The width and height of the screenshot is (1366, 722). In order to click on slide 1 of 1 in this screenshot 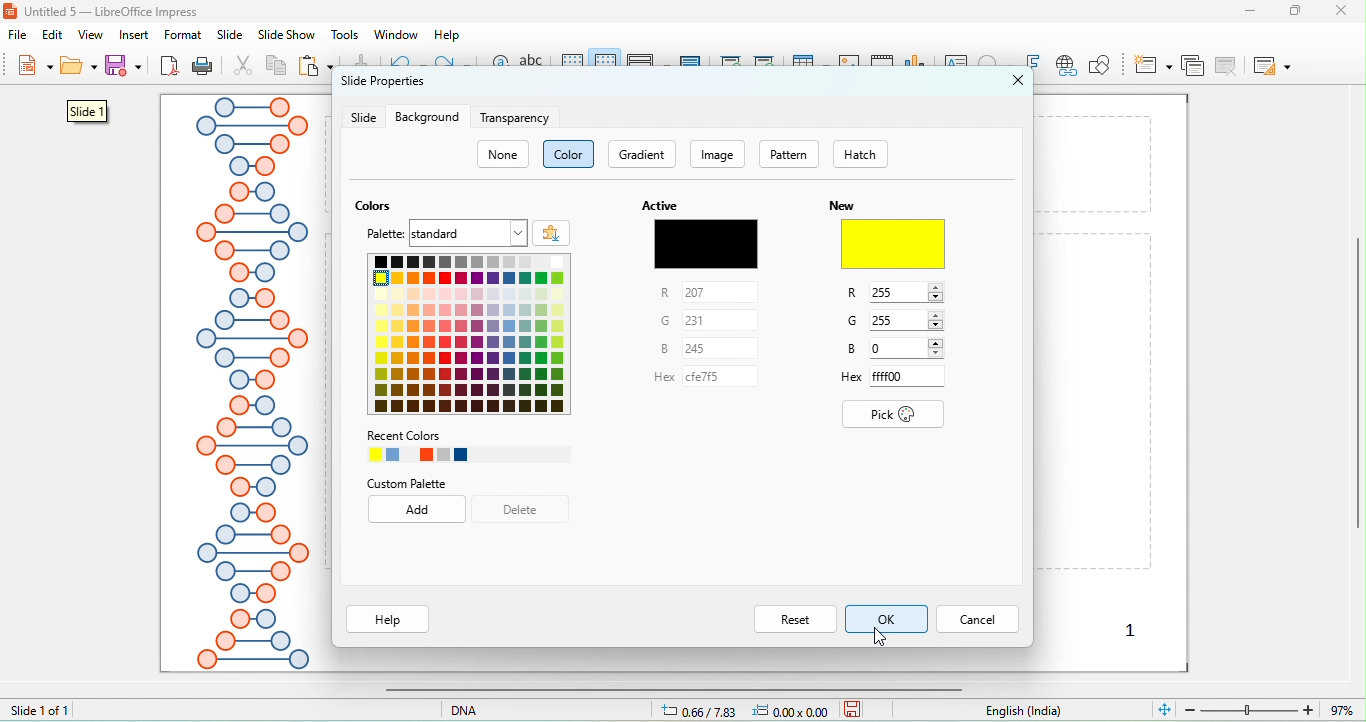, I will do `click(40, 709)`.